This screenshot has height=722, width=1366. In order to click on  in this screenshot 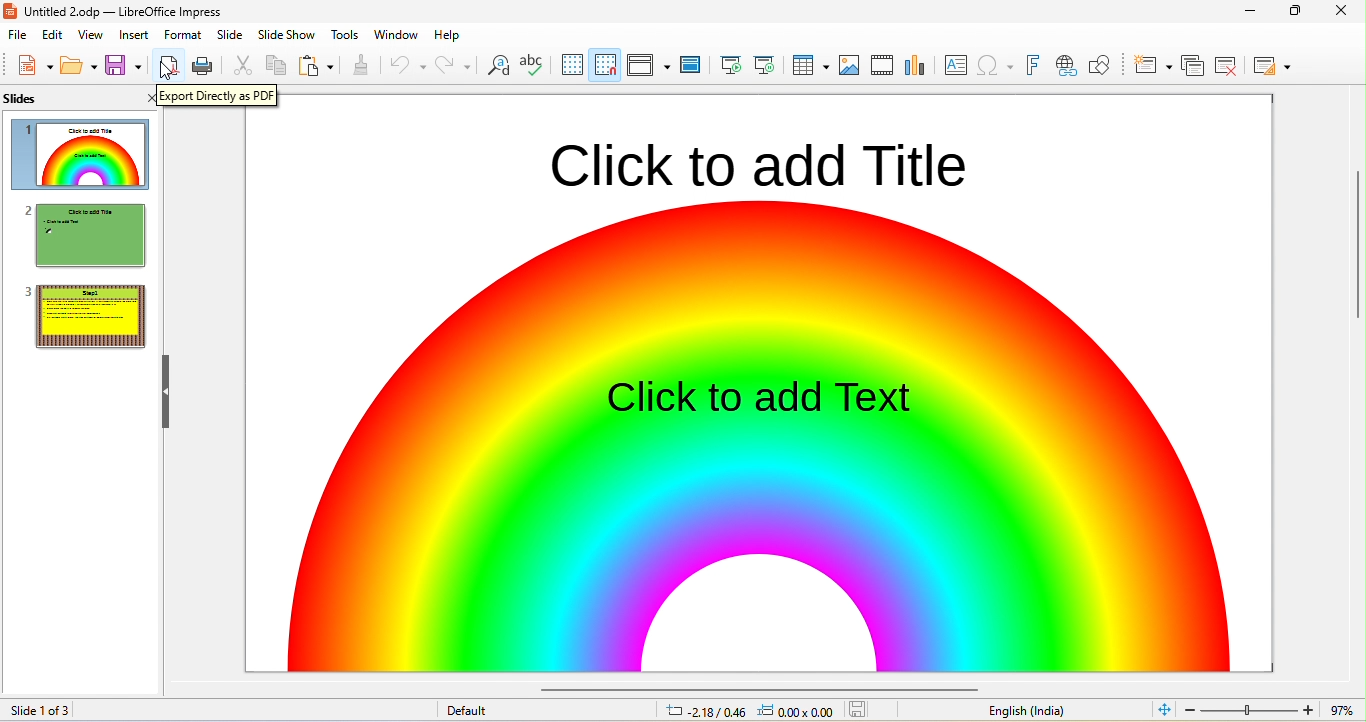, I will do `click(317, 64)`.